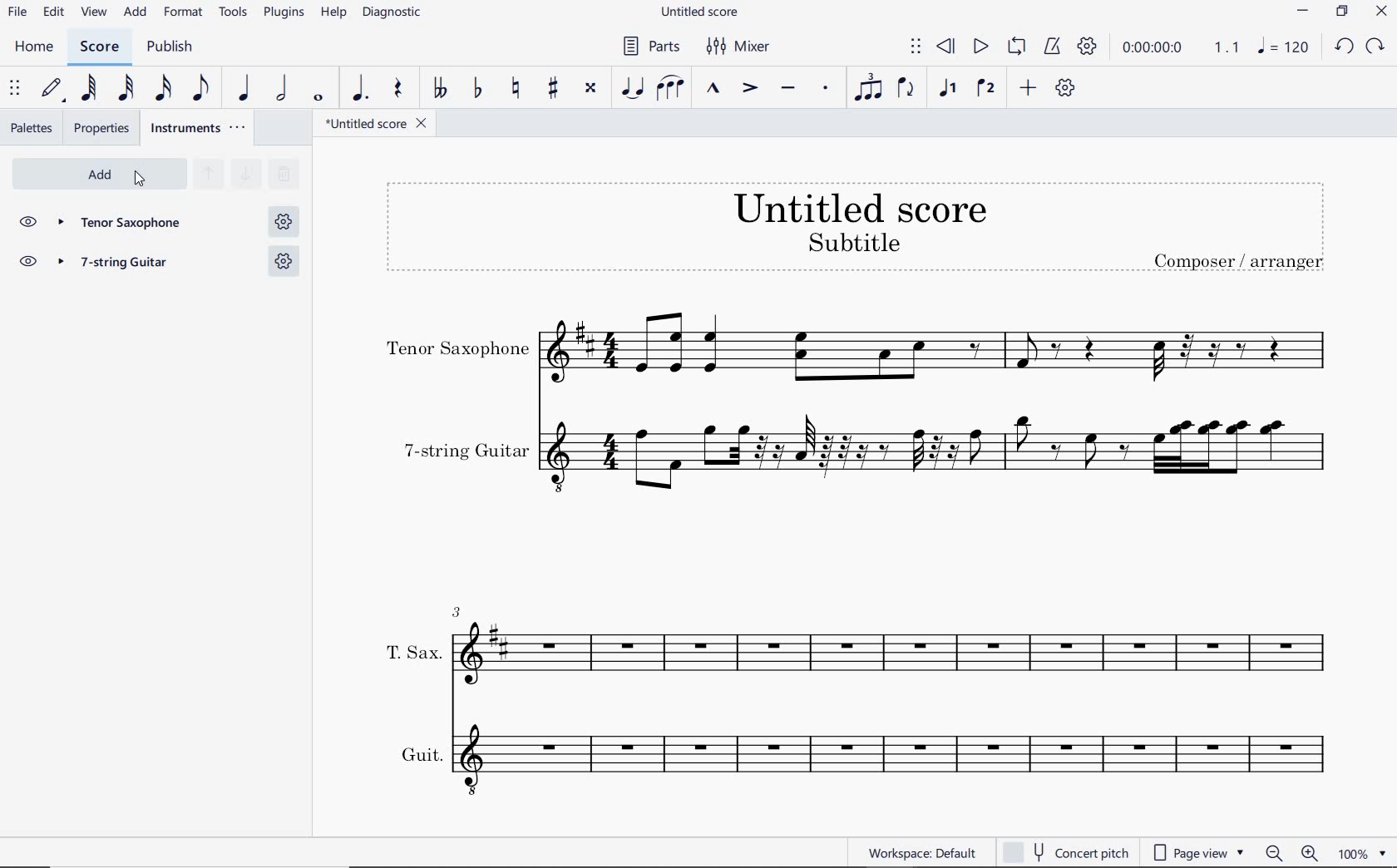  What do you see at coordinates (105, 128) in the screenshot?
I see `PROPERTIES` at bounding box center [105, 128].